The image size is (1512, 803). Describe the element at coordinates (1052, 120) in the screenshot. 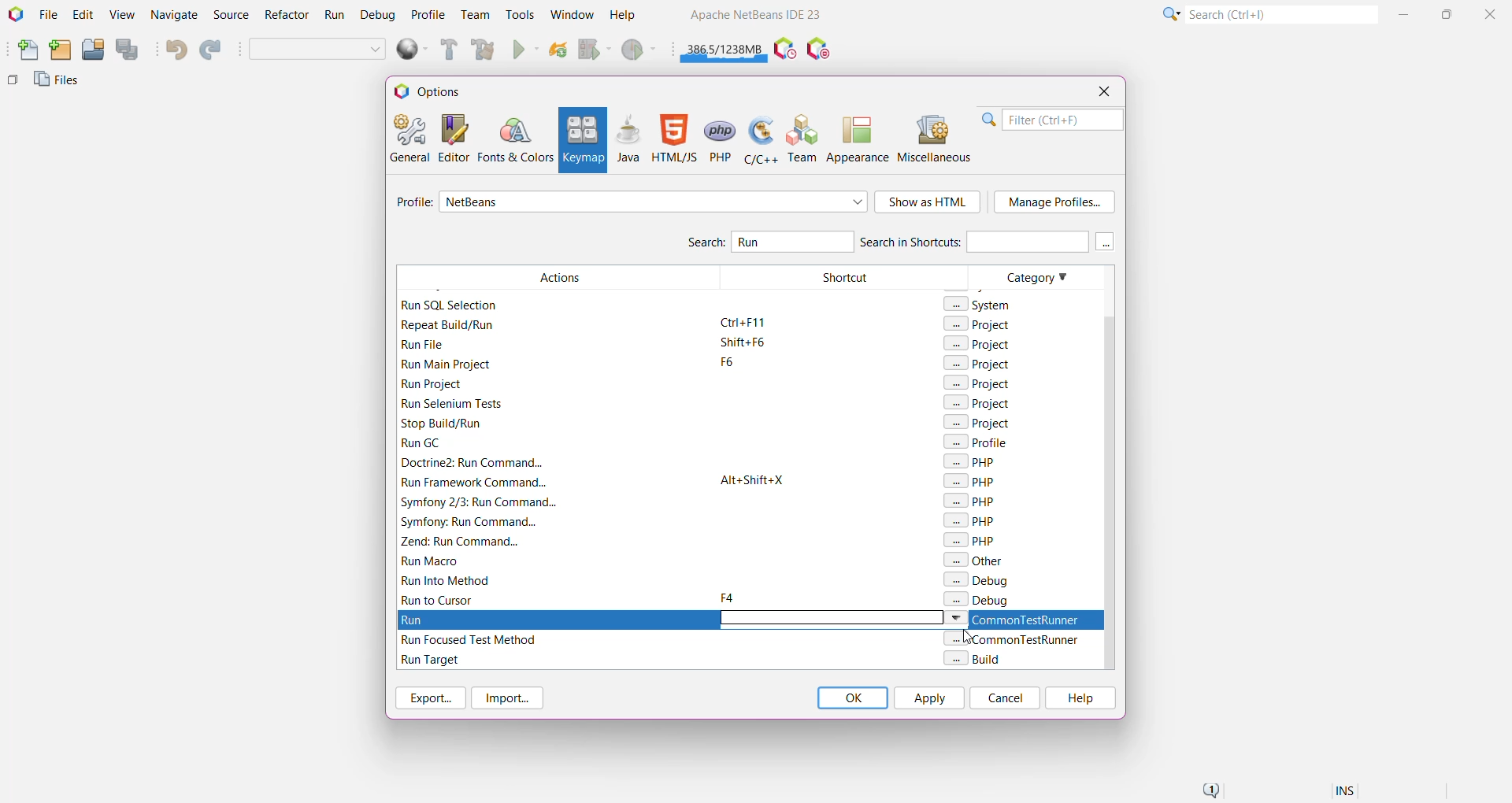

I see `Filter` at that location.